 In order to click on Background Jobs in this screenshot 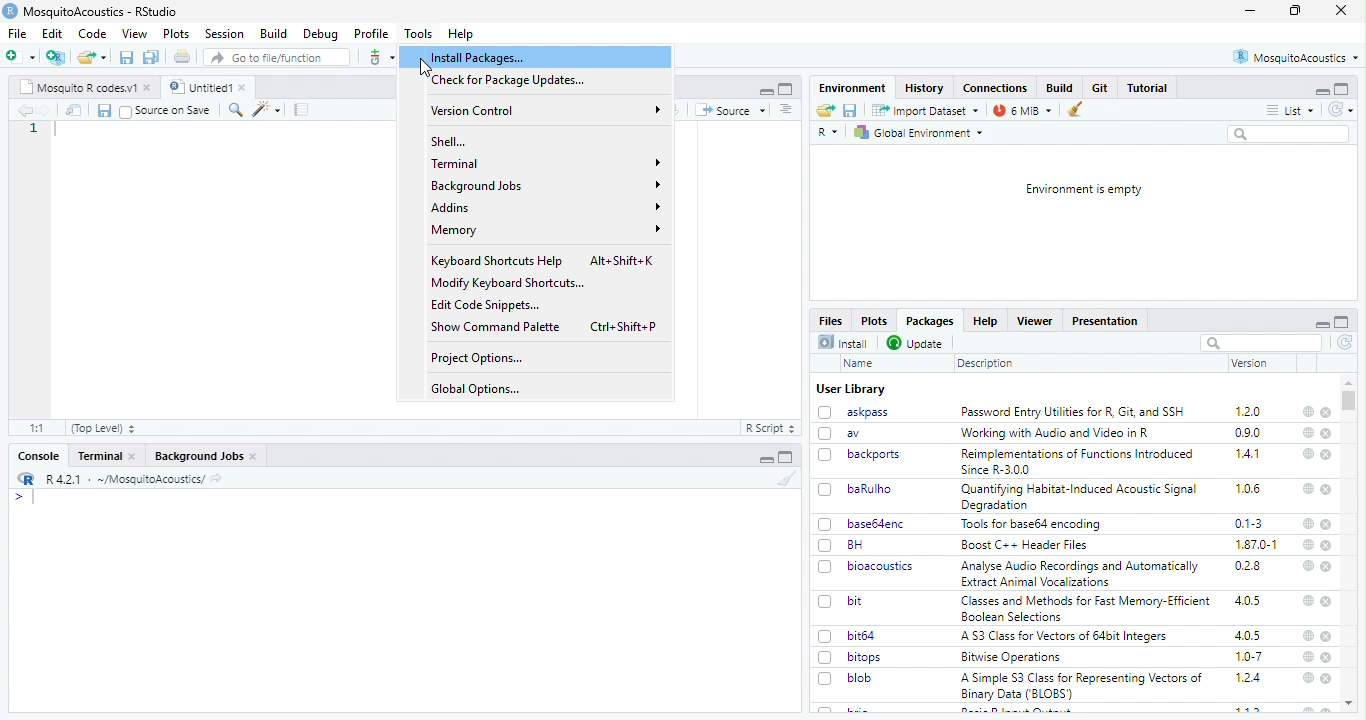, I will do `click(545, 185)`.